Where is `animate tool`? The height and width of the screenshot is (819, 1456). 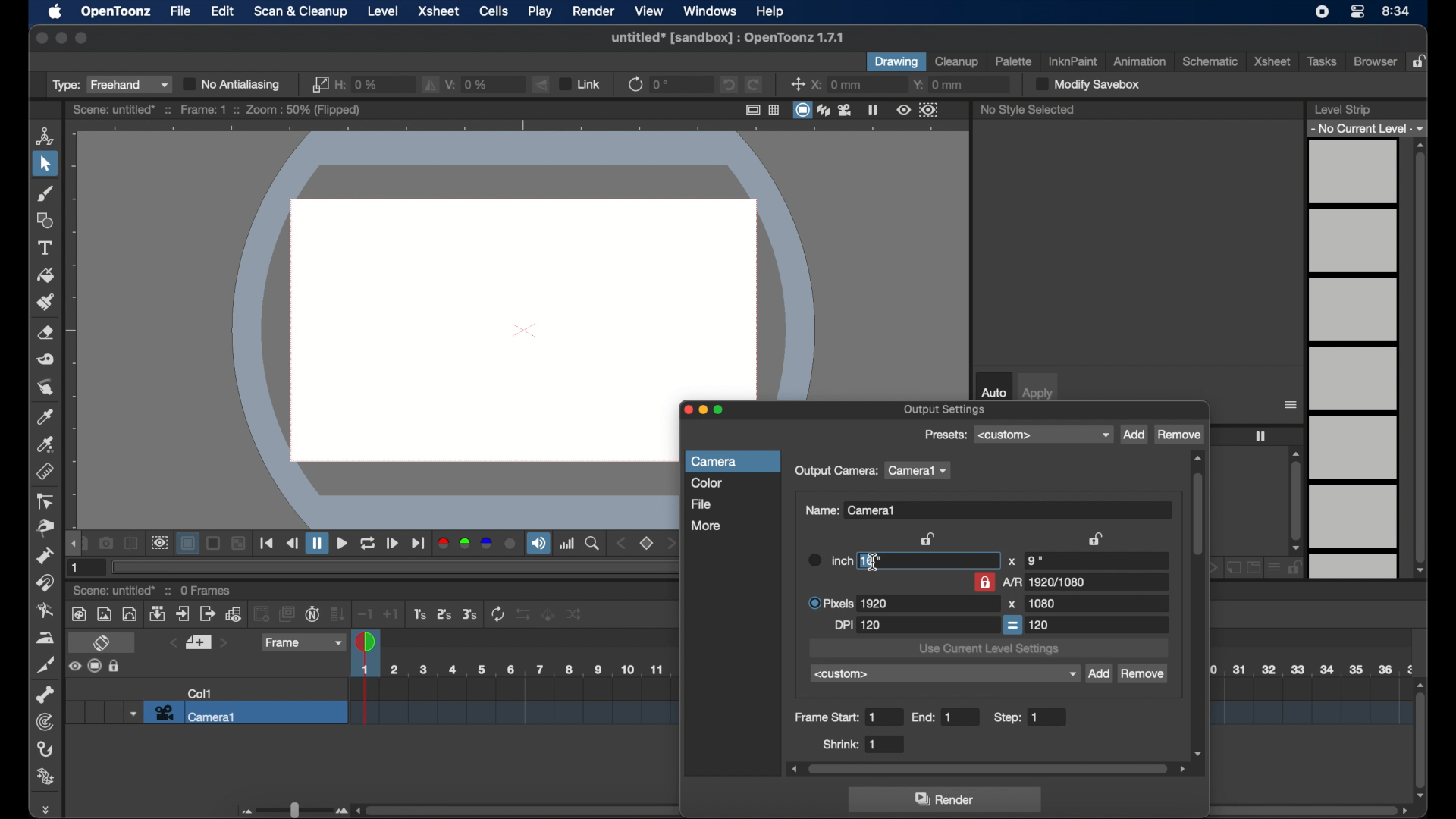
animate tool is located at coordinates (45, 135).